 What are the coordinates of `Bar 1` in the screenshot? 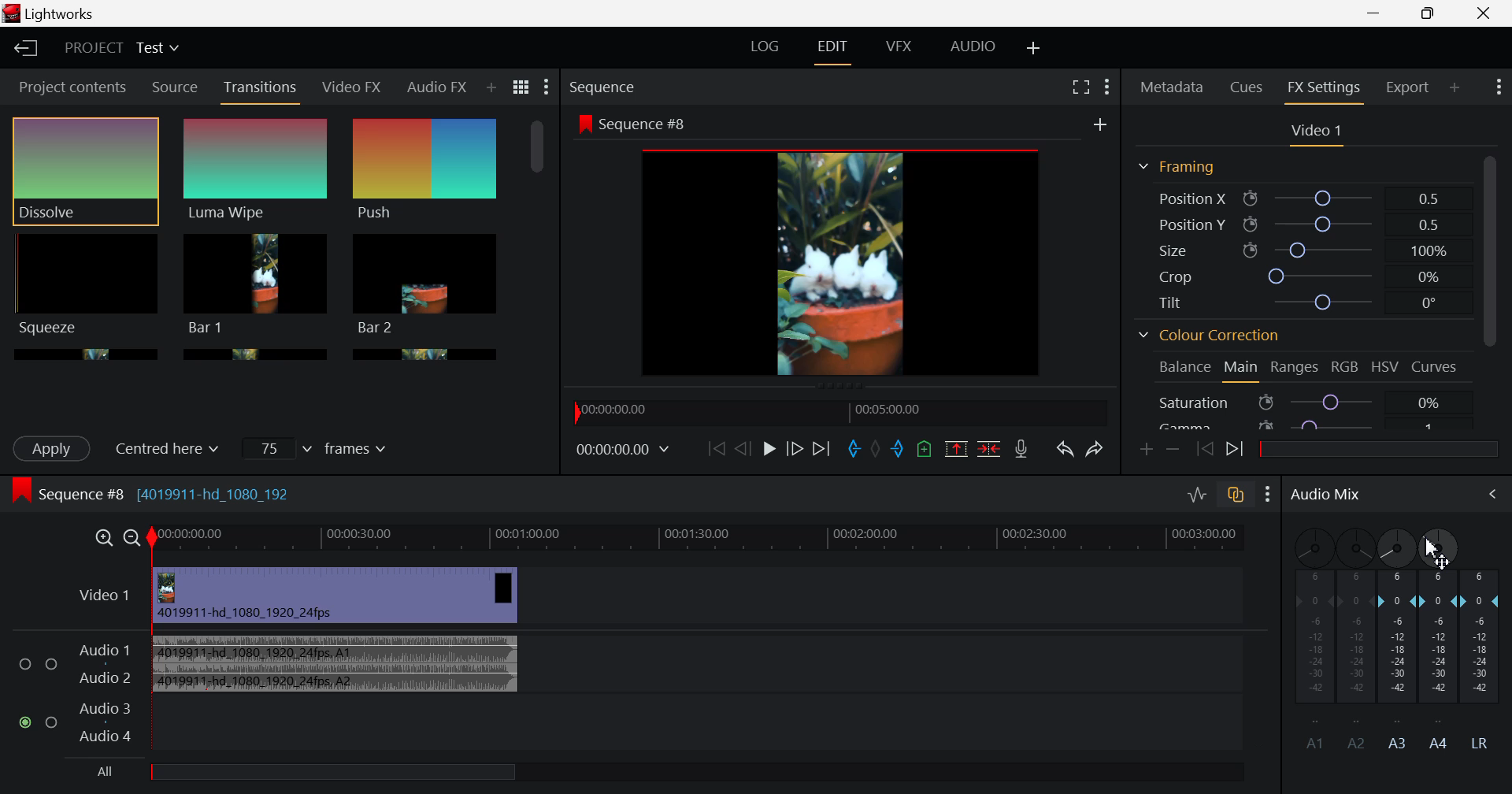 It's located at (256, 284).